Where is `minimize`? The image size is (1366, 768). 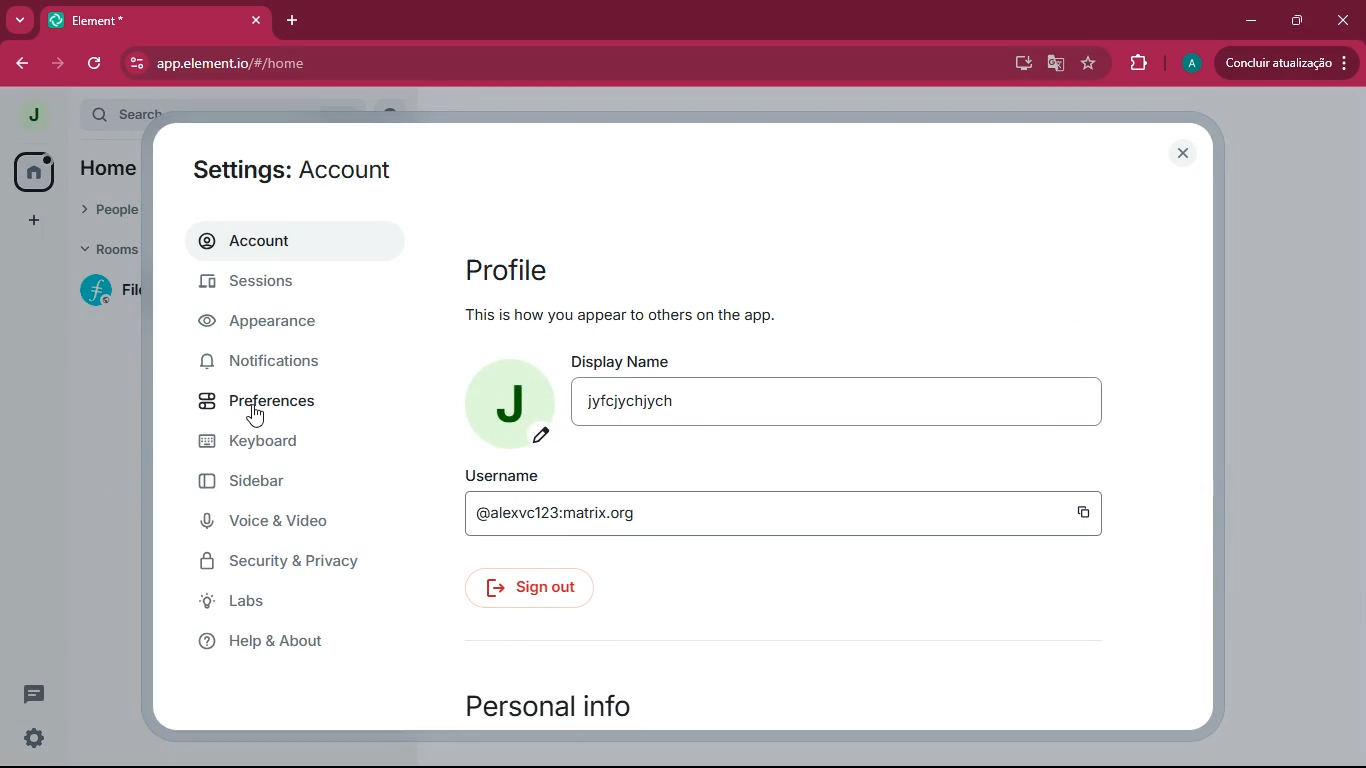 minimize is located at coordinates (1248, 22).